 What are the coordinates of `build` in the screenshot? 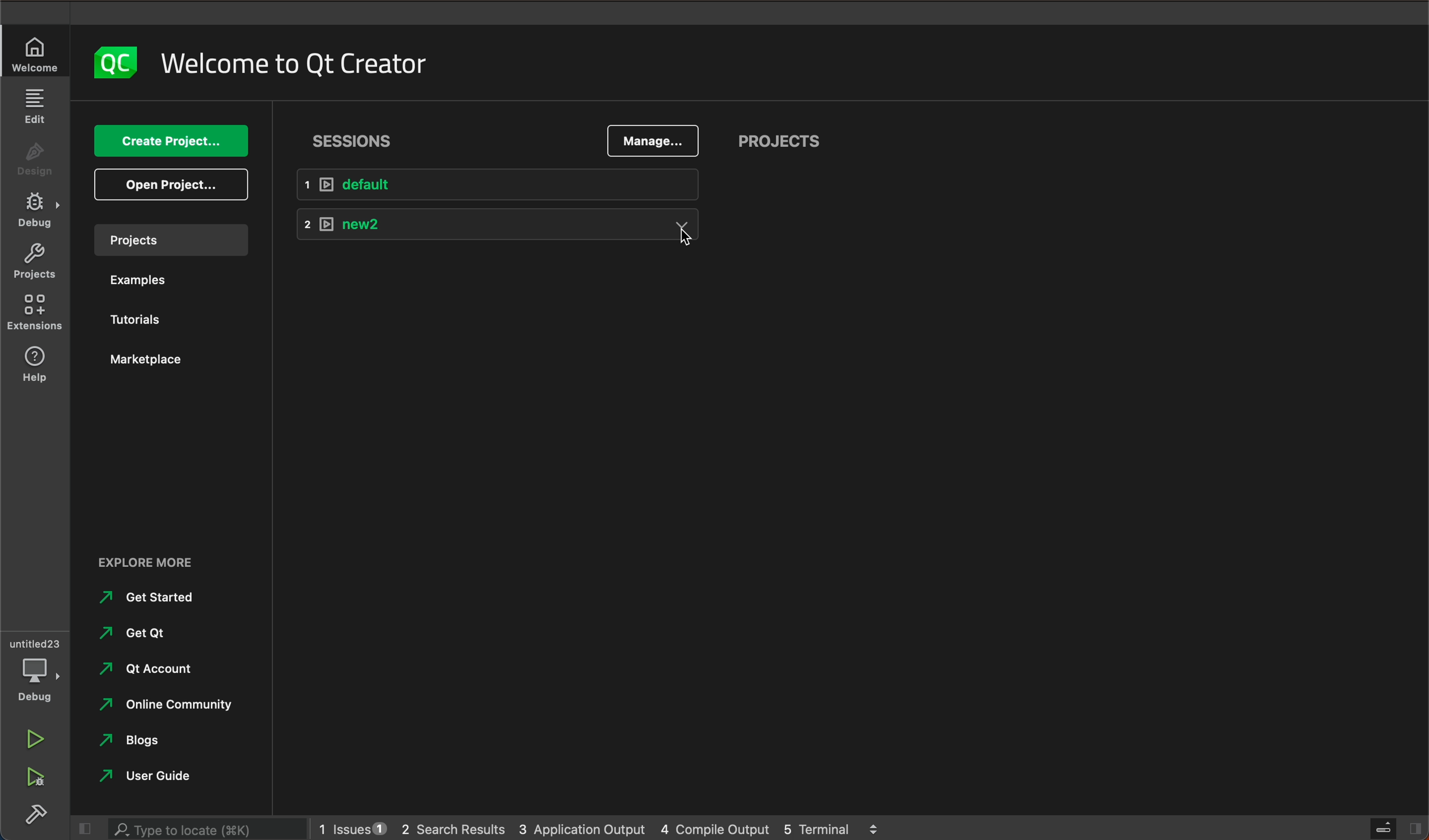 It's located at (33, 813).